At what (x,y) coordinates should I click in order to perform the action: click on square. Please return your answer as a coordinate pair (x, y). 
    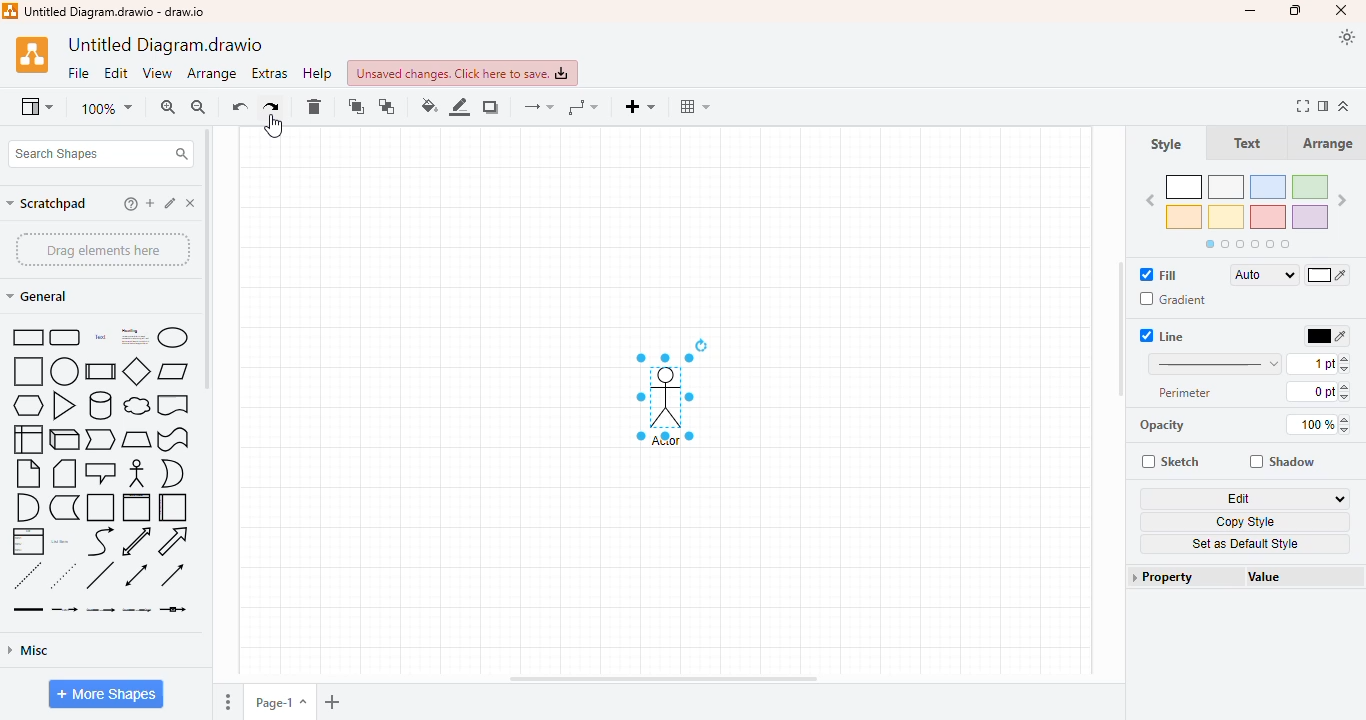
    Looking at the image, I should click on (27, 372).